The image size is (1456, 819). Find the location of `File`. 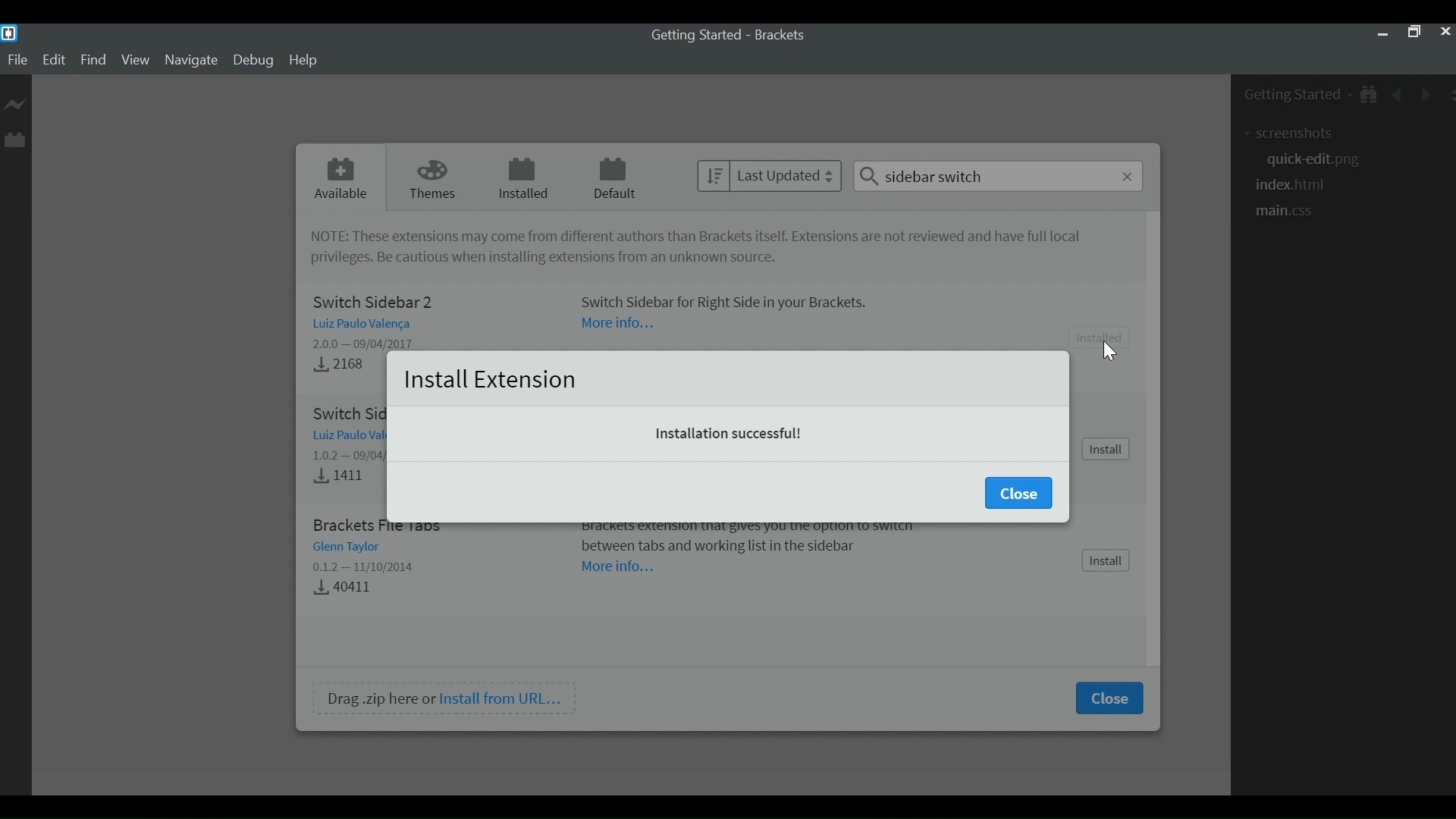

File is located at coordinates (18, 61).